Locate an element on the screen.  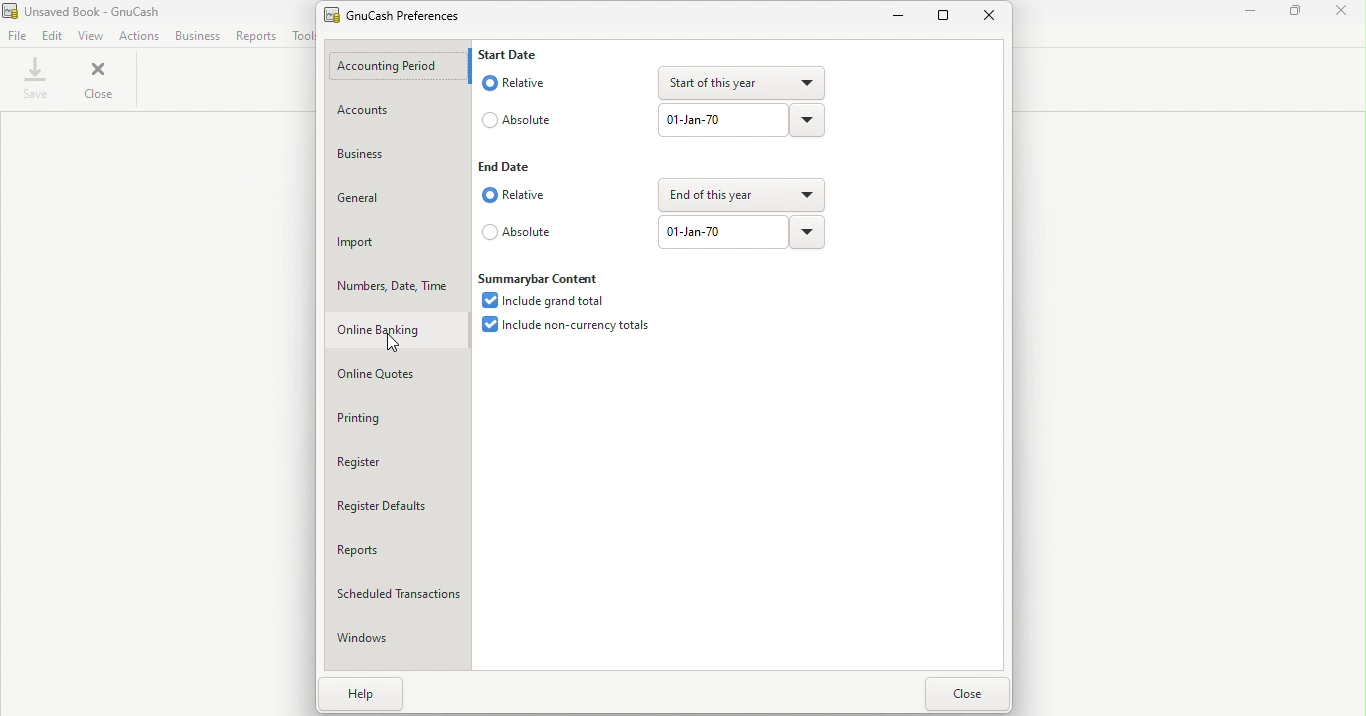
Accounting period is located at coordinates (397, 67).